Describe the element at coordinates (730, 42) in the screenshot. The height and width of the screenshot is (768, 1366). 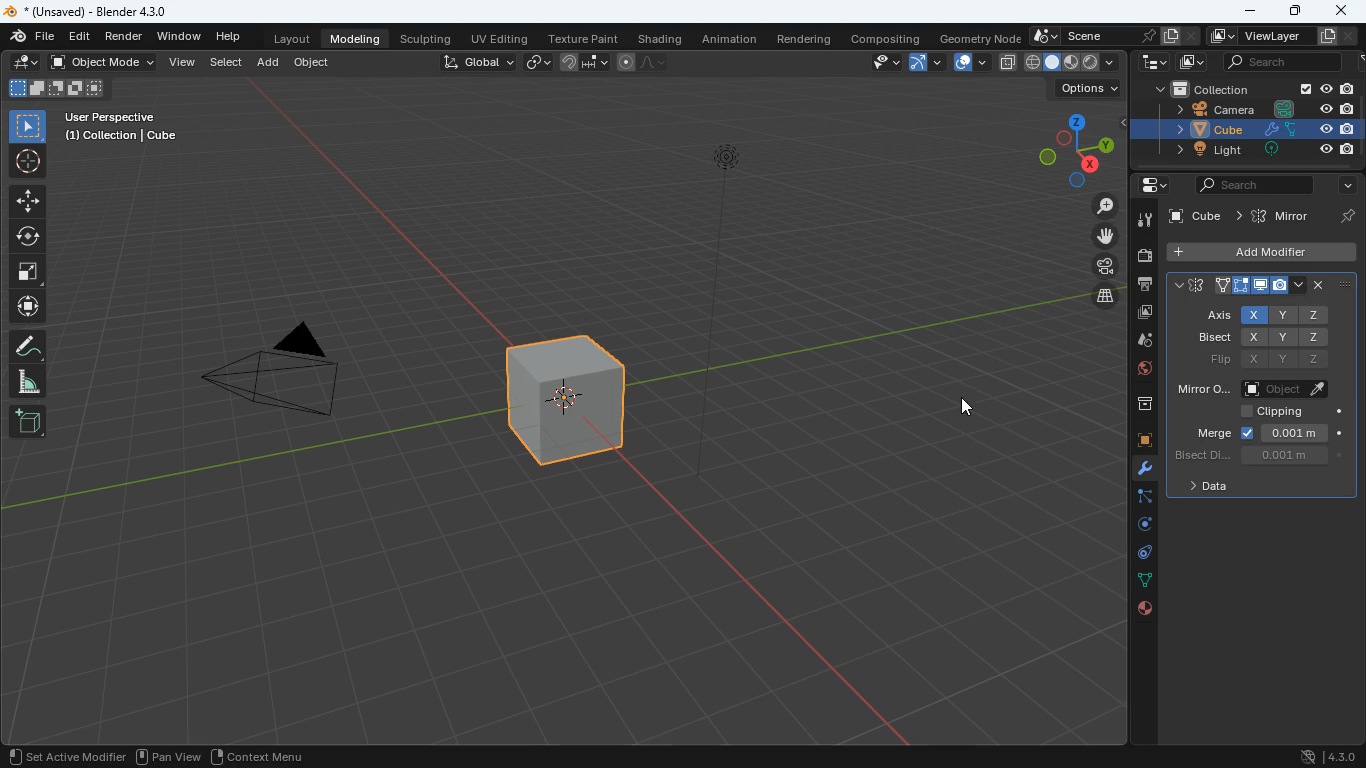
I see `animation` at that location.